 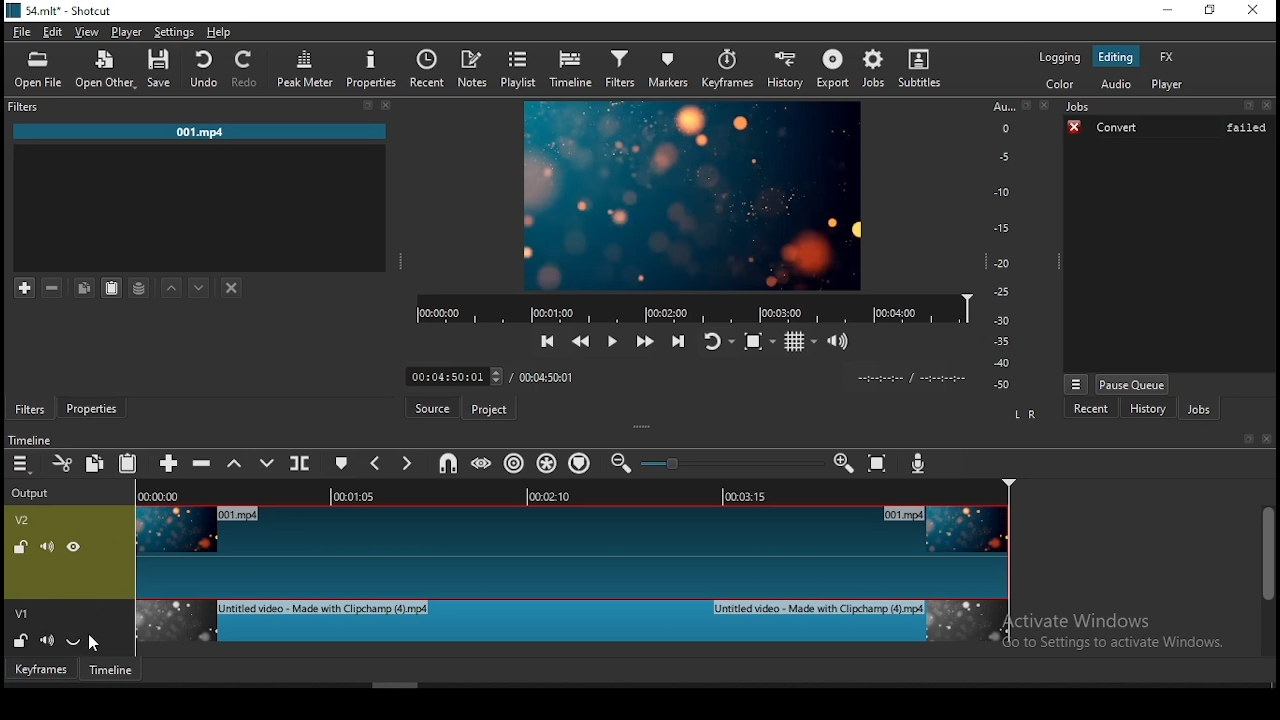 What do you see at coordinates (547, 466) in the screenshot?
I see `ripple all tracks` at bounding box center [547, 466].